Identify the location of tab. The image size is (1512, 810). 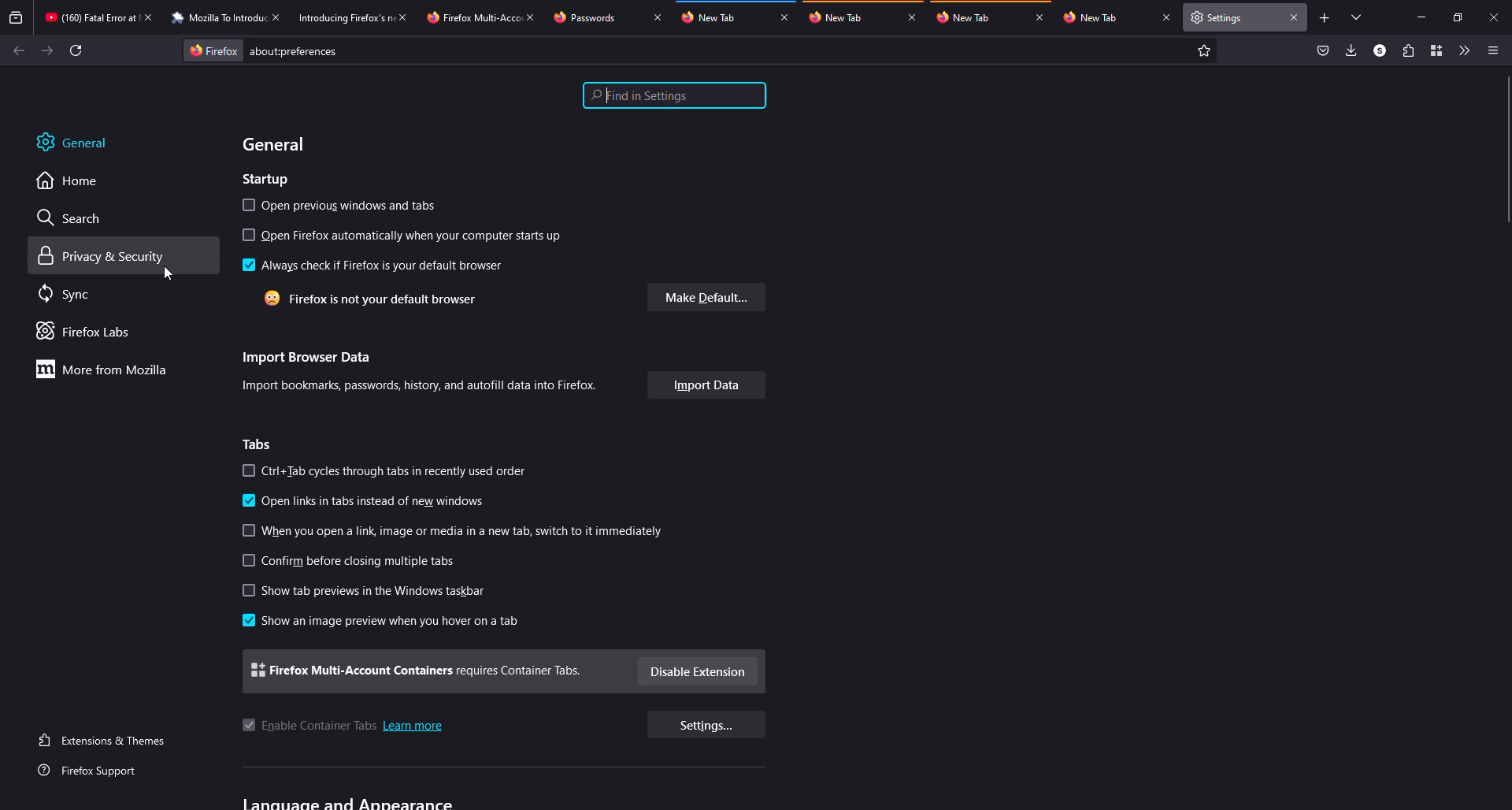
(1091, 17).